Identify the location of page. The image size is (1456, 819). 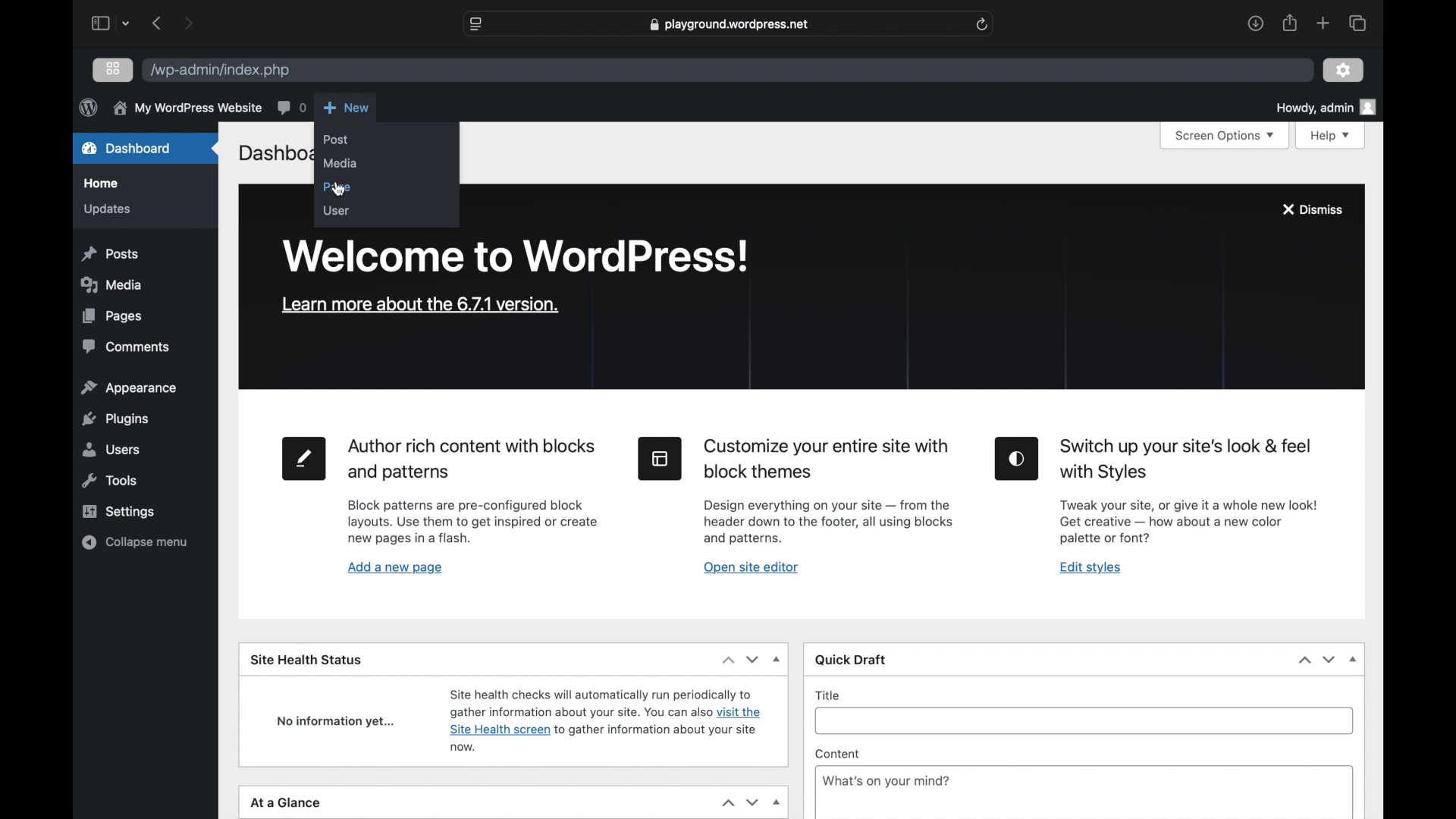
(338, 188).